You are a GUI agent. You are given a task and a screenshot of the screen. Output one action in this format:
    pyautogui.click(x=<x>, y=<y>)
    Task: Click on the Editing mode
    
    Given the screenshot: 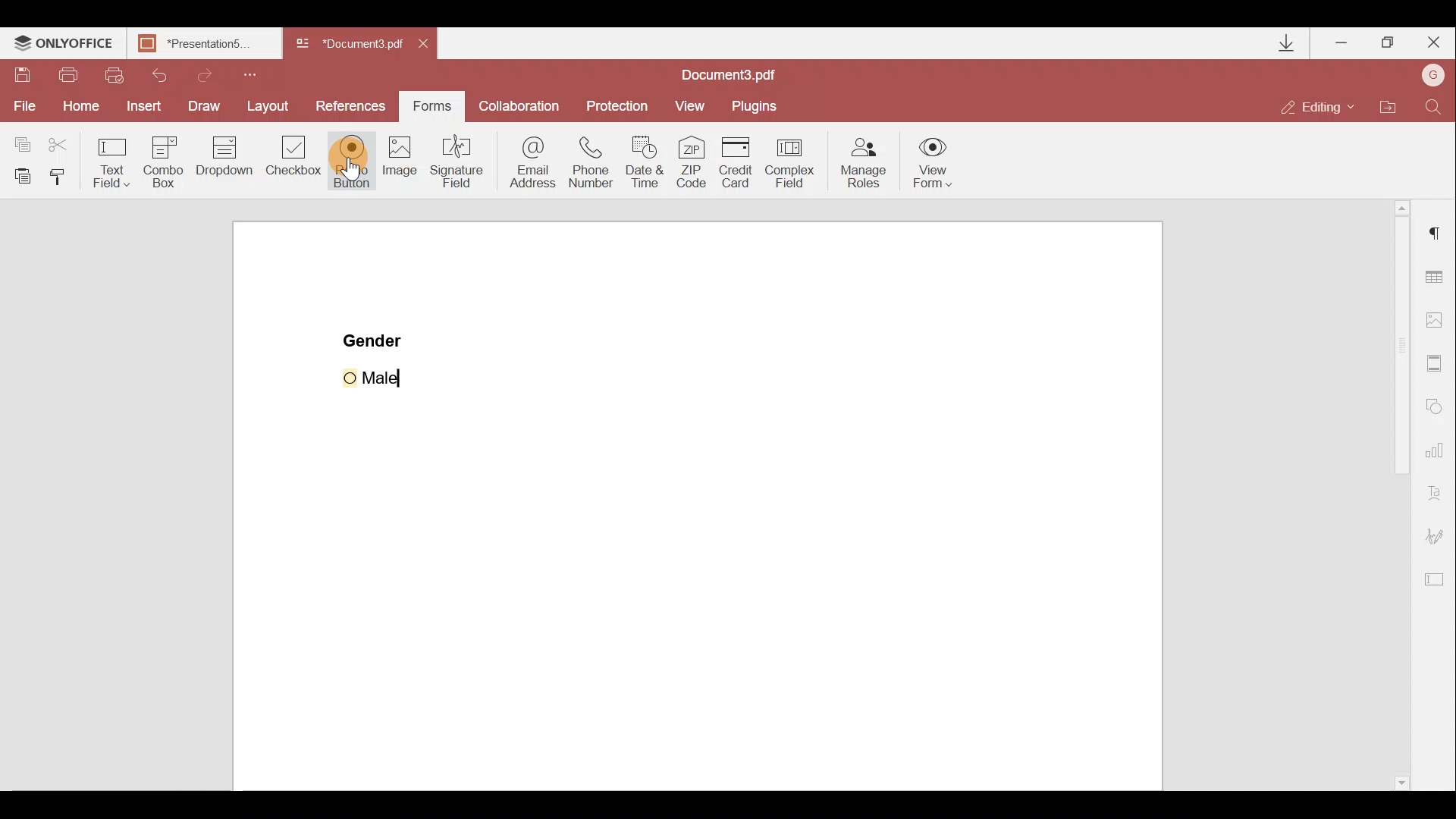 What is the action you would take?
    pyautogui.click(x=1323, y=101)
    